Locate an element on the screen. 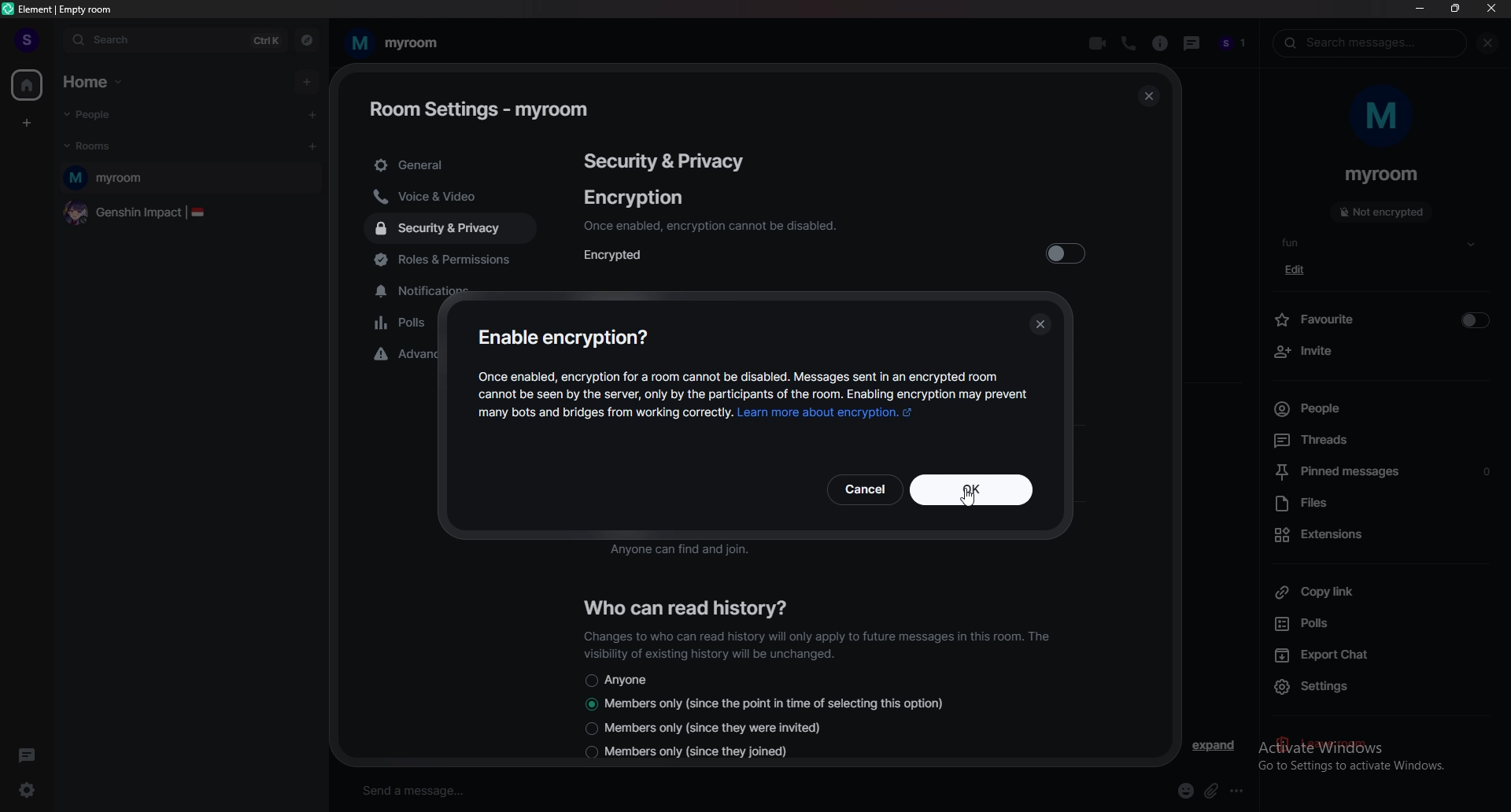  myroom is located at coordinates (1383, 175).